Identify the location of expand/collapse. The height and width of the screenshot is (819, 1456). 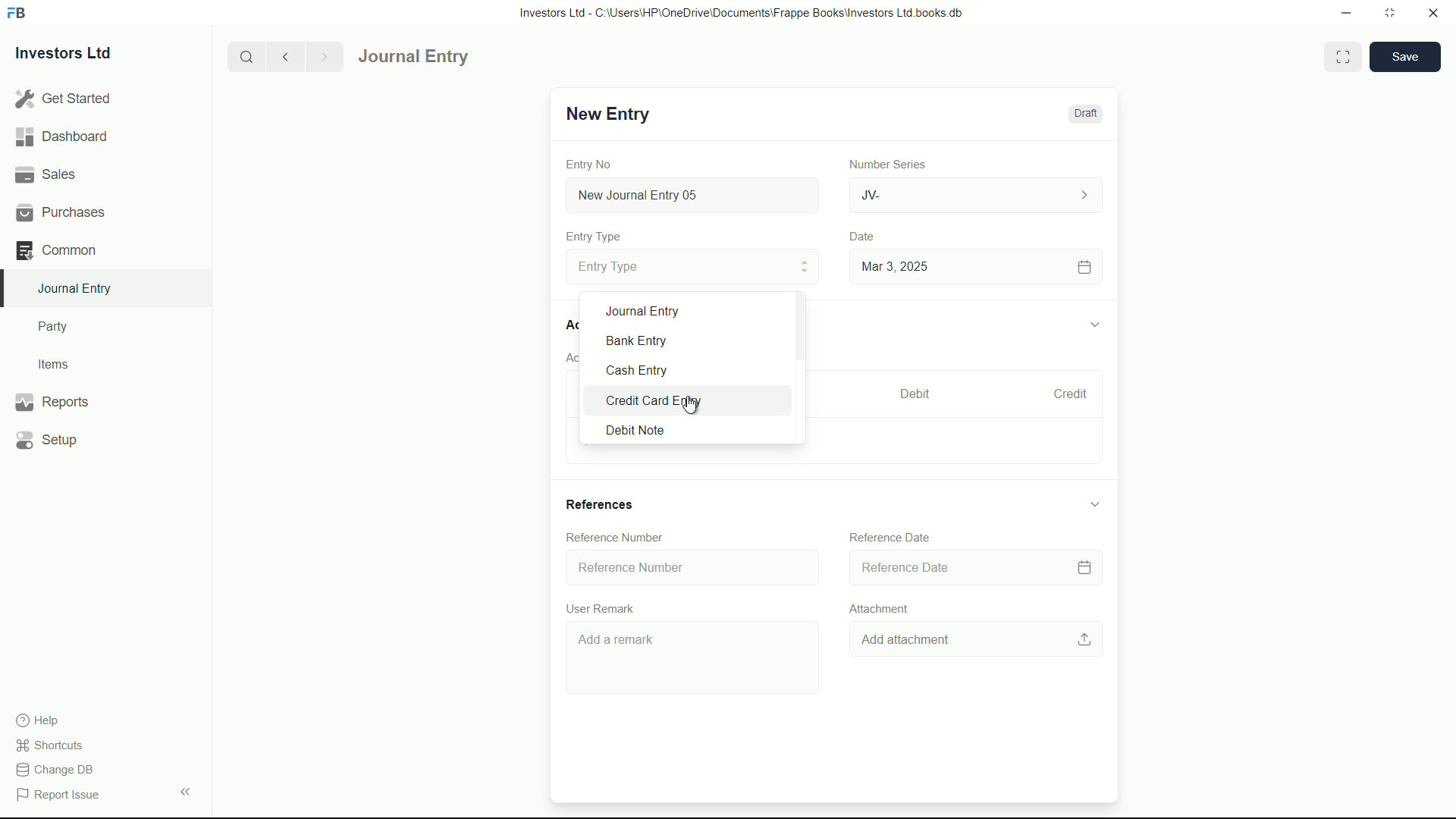
(185, 790).